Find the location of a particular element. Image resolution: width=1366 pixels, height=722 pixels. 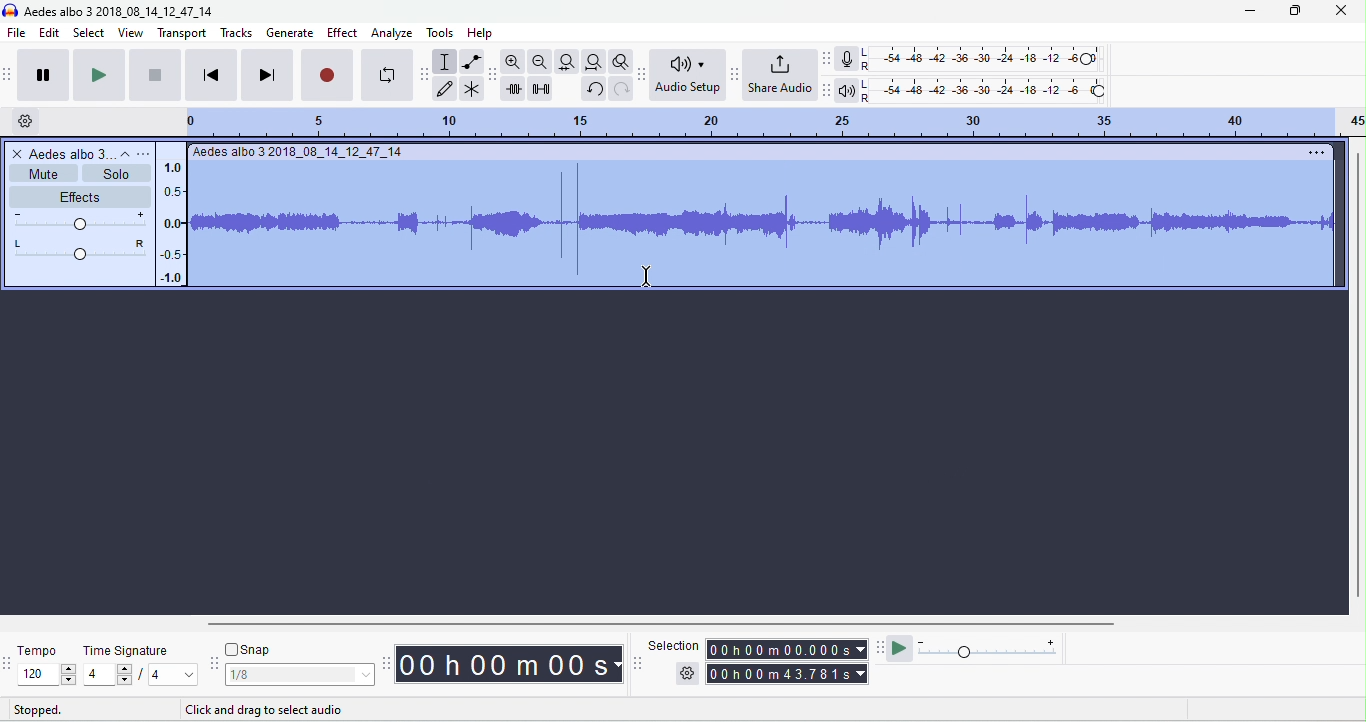

selection time is located at coordinates (788, 648).